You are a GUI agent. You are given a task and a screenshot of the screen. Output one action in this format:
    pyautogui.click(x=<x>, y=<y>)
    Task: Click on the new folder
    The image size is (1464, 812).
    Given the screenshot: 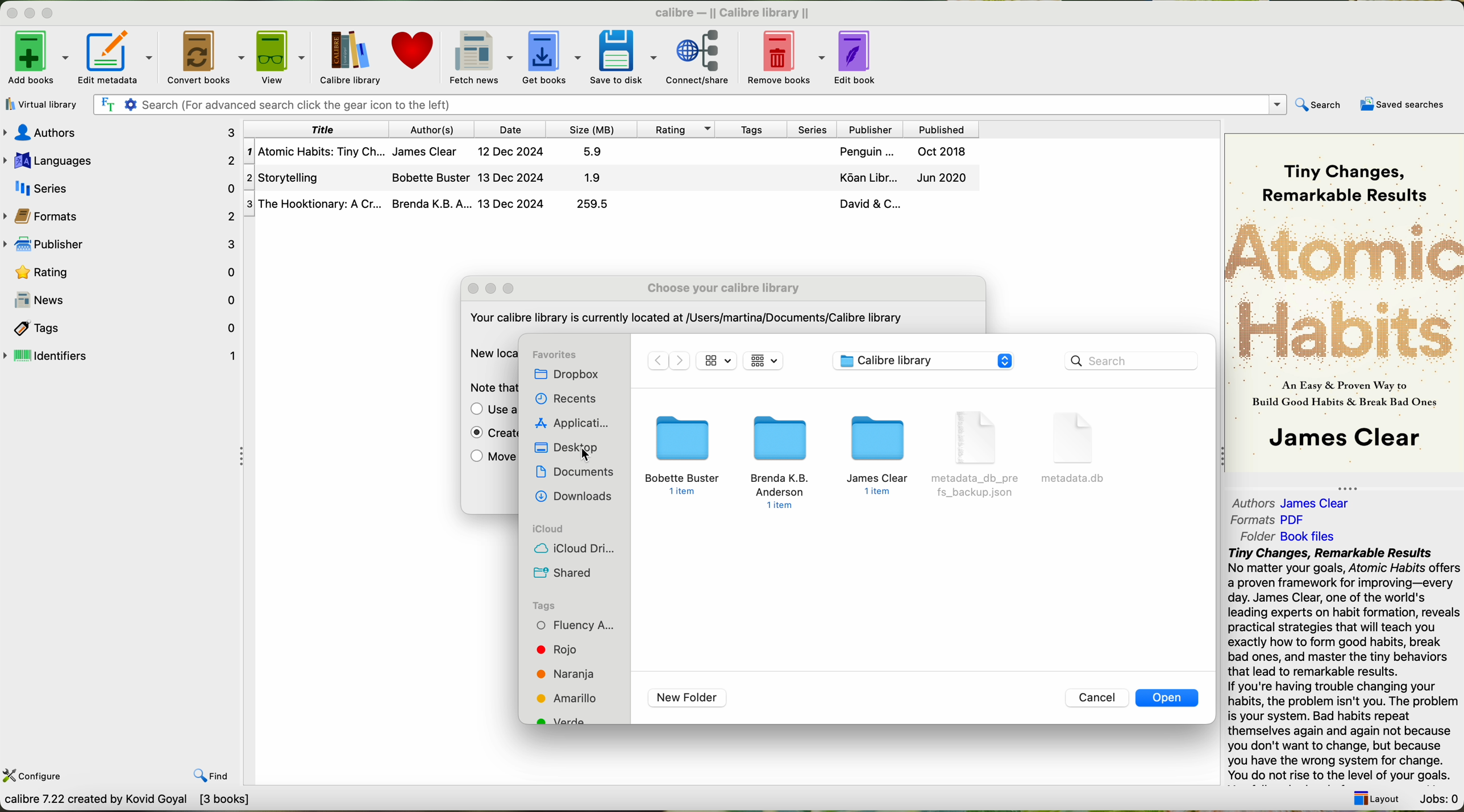 What is the action you would take?
    pyautogui.click(x=687, y=698)
    